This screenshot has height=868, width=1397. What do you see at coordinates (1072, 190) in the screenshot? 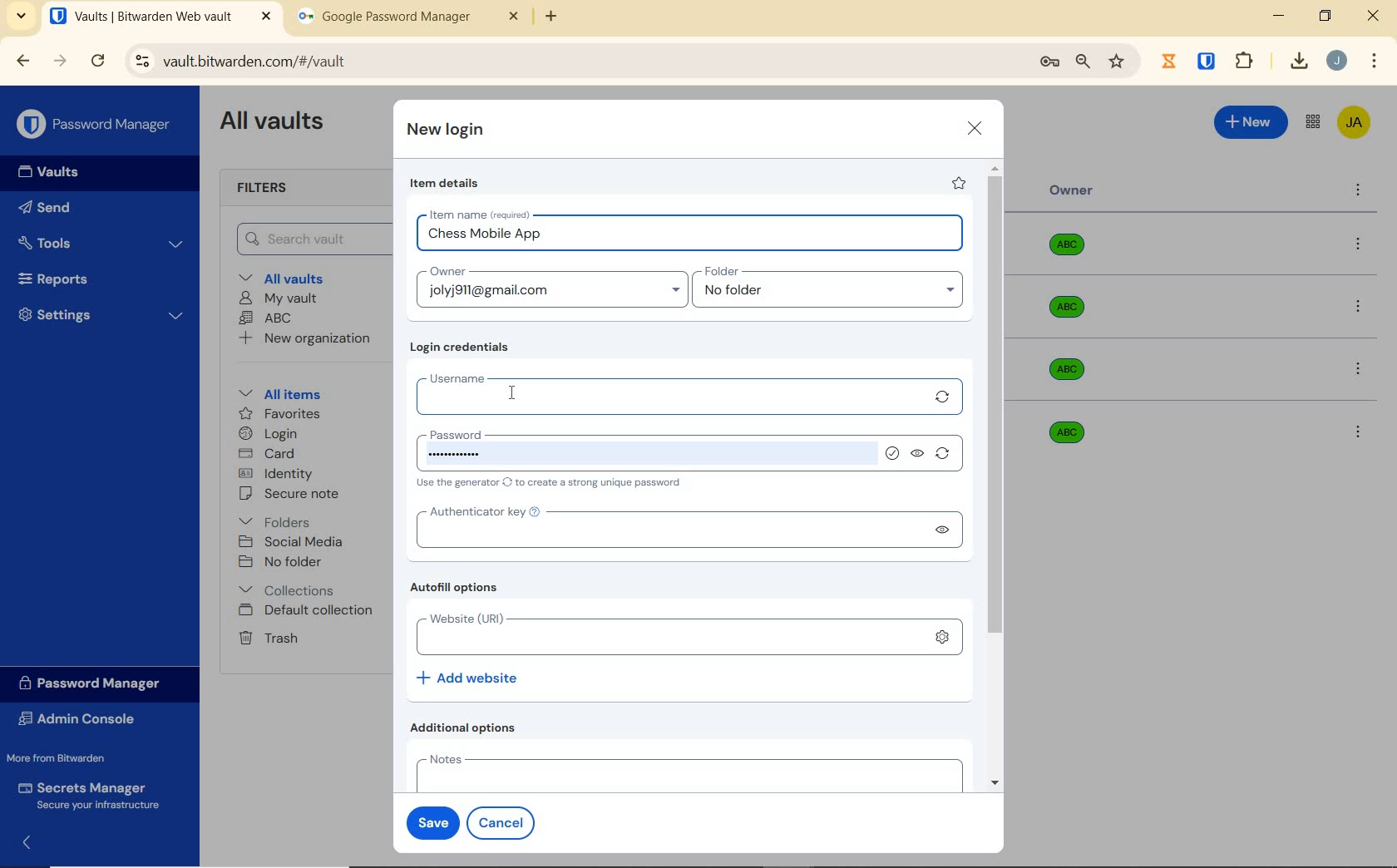
I see `Owner` at bounding box center [1072, 190].